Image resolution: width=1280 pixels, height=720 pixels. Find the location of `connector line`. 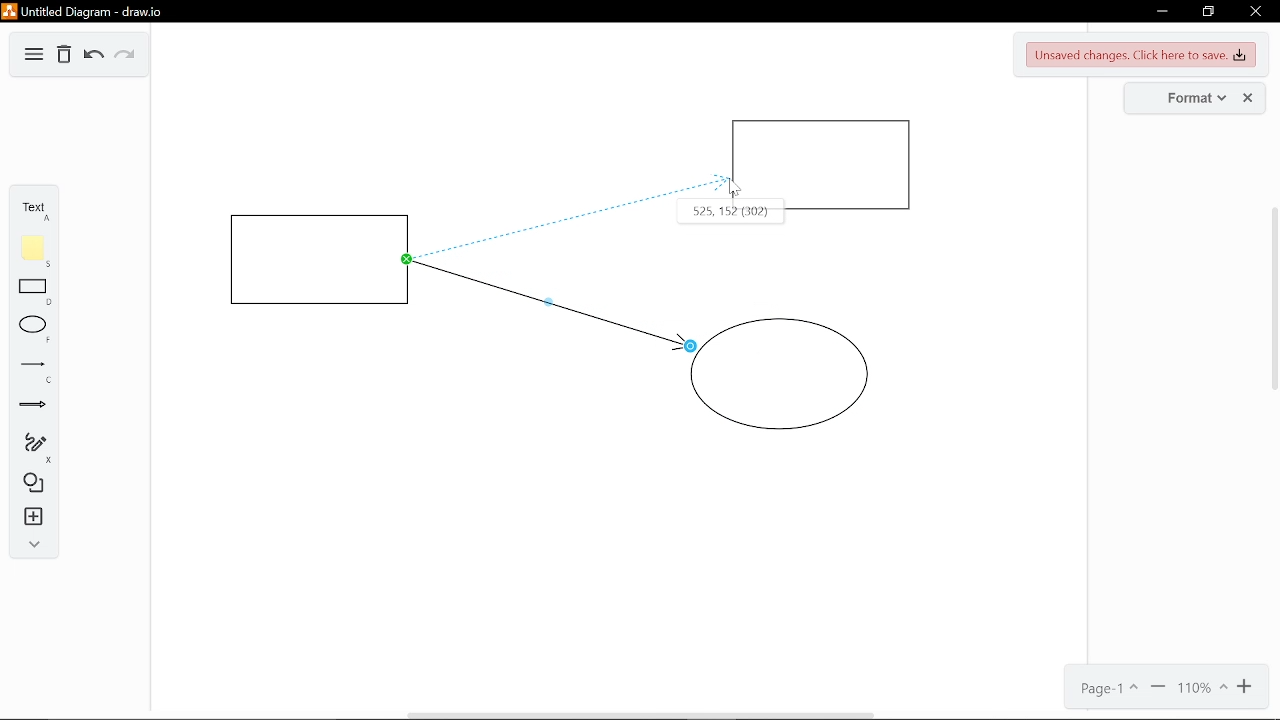

connector line is located at coordinates (548, 304).